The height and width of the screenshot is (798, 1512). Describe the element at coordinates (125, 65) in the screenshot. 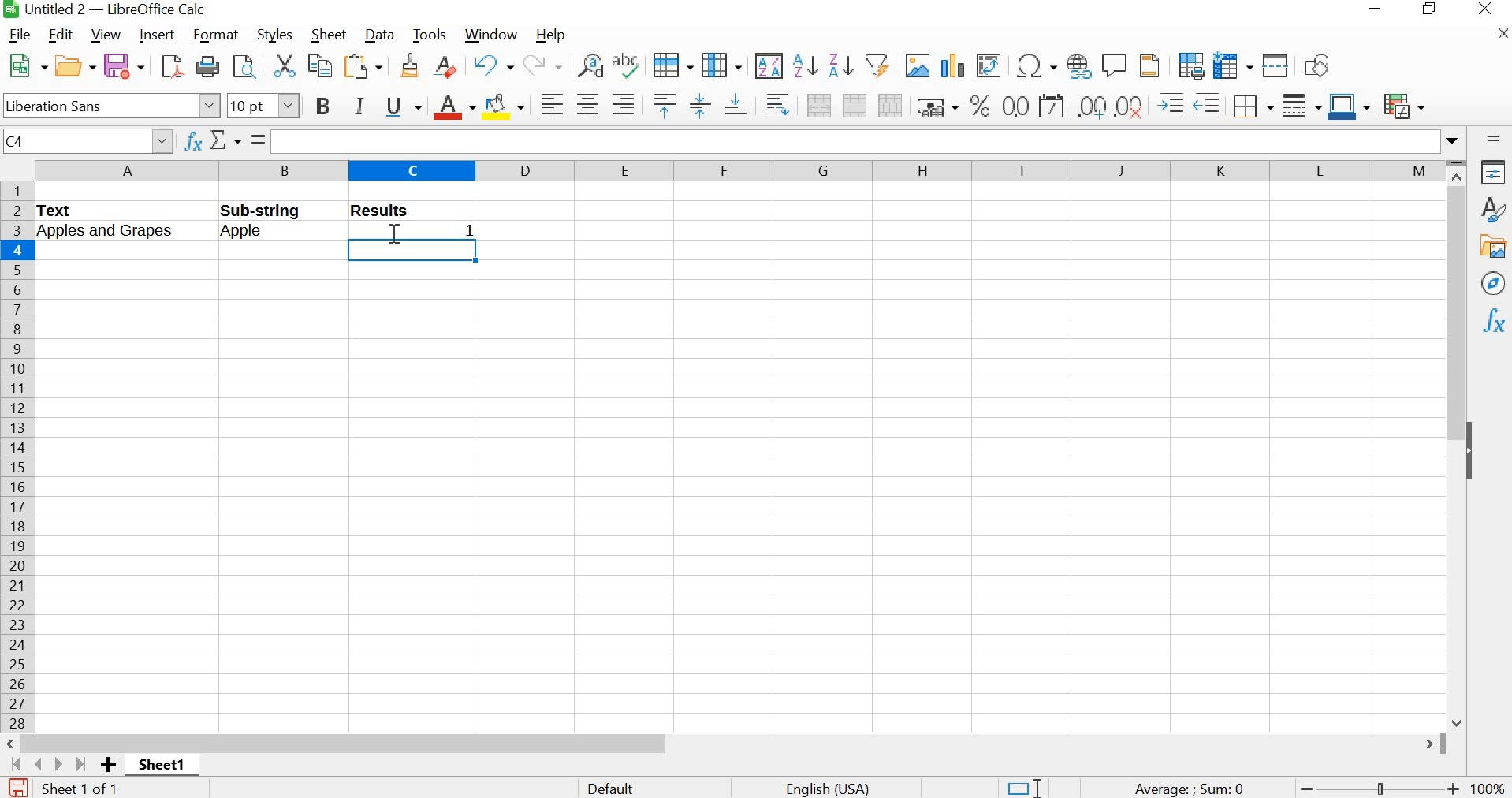

I see `save` at that location.